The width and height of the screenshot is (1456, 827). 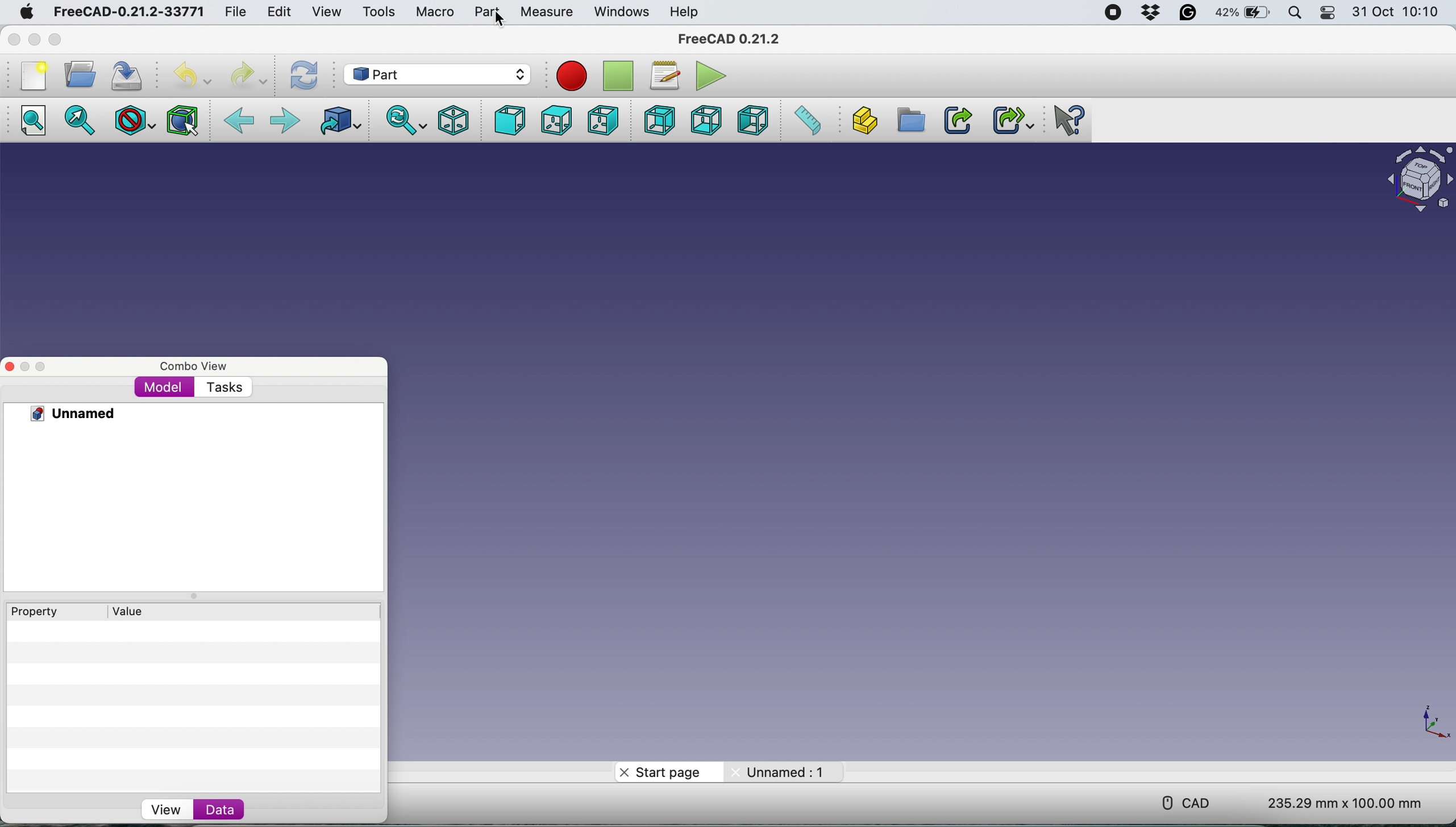 I want to click on Save, so click(x=125, y=75).